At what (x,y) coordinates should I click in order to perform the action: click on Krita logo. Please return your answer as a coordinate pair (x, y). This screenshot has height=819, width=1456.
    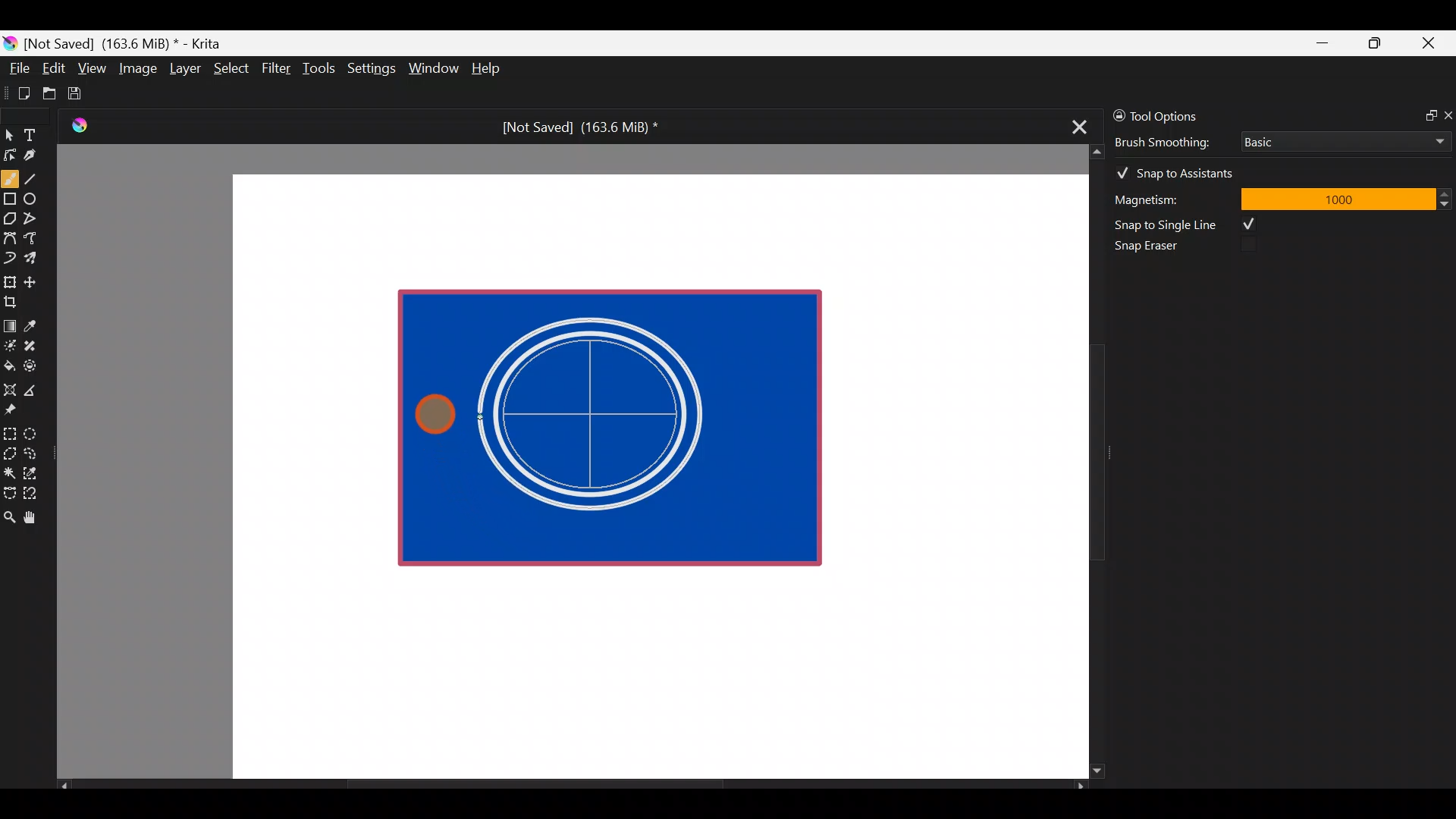
    Looking at the image, I should click on (10, 42).